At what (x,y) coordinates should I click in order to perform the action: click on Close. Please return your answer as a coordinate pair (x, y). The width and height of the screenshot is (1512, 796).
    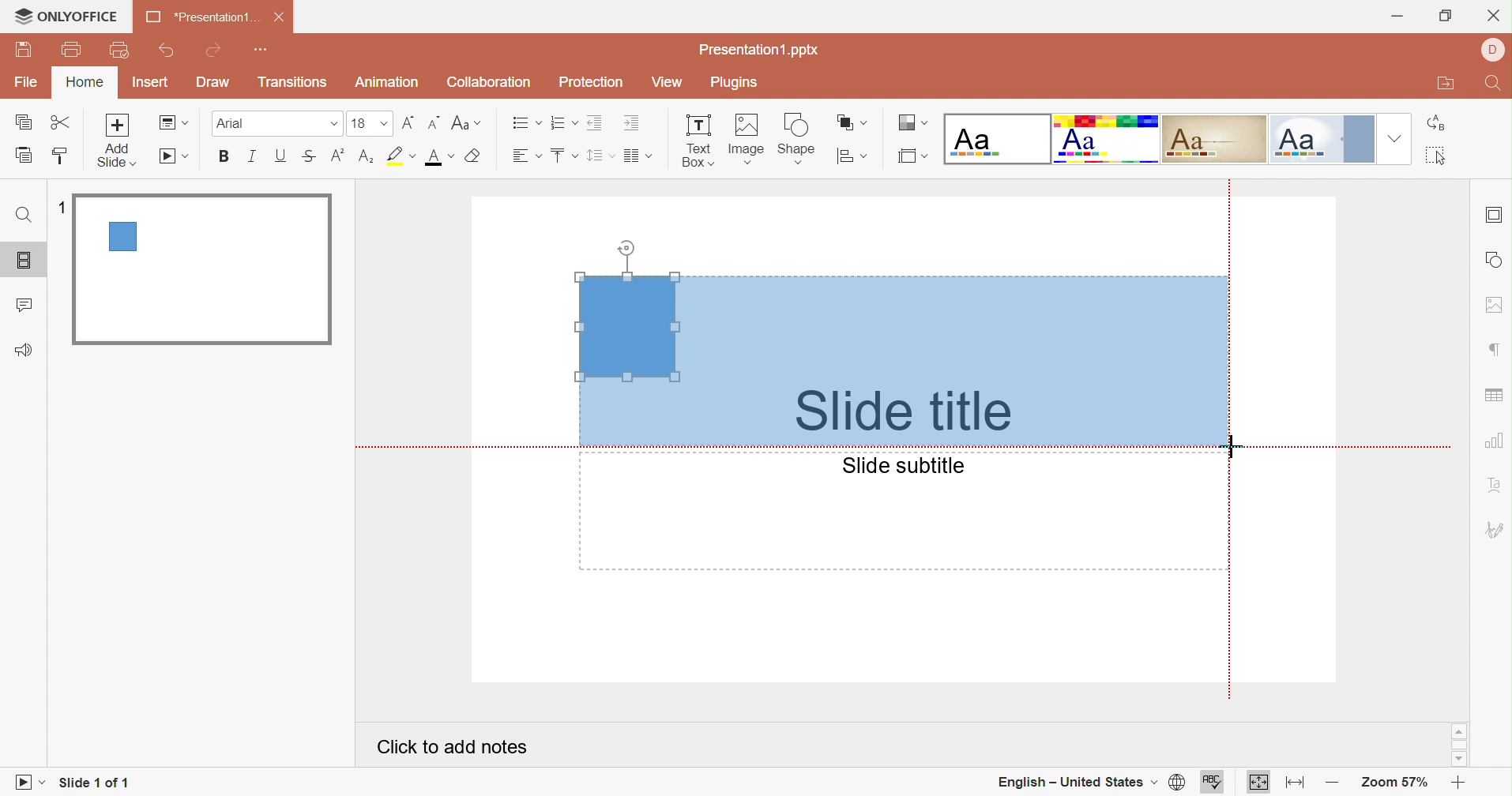
    Looking at the image, I should click on (280, 17).